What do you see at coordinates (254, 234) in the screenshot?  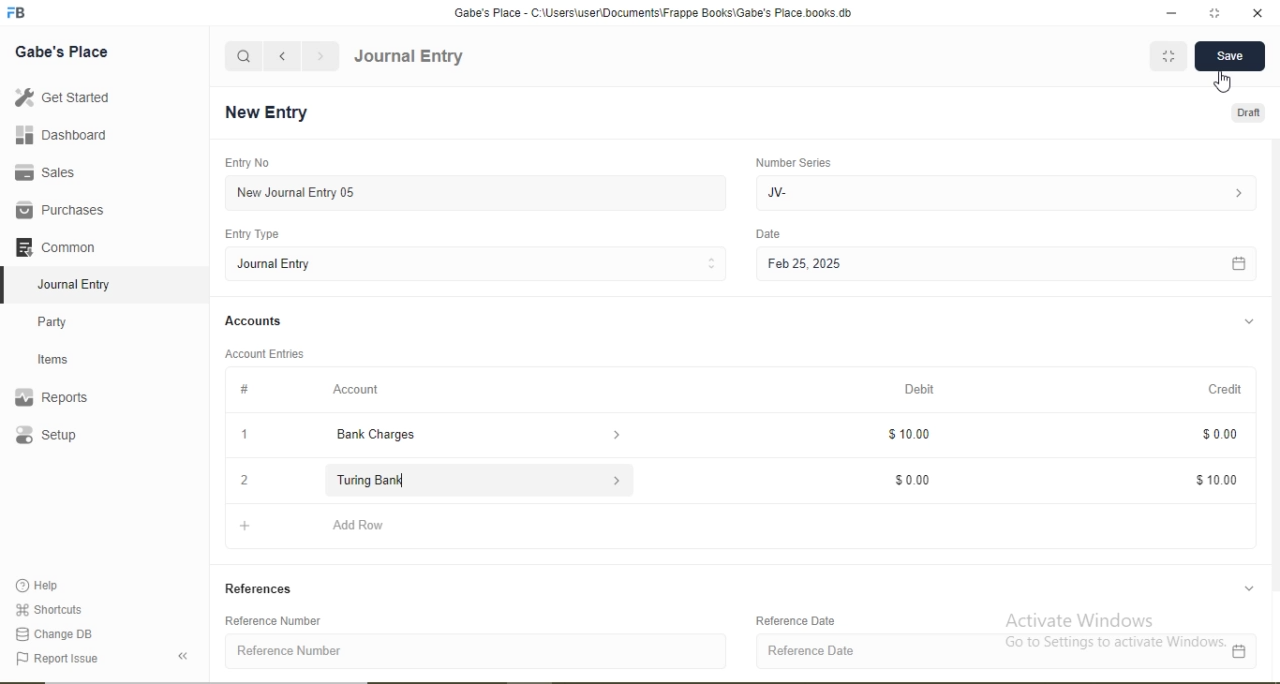 I see `Entry Type` at bounding box center [254, 234].